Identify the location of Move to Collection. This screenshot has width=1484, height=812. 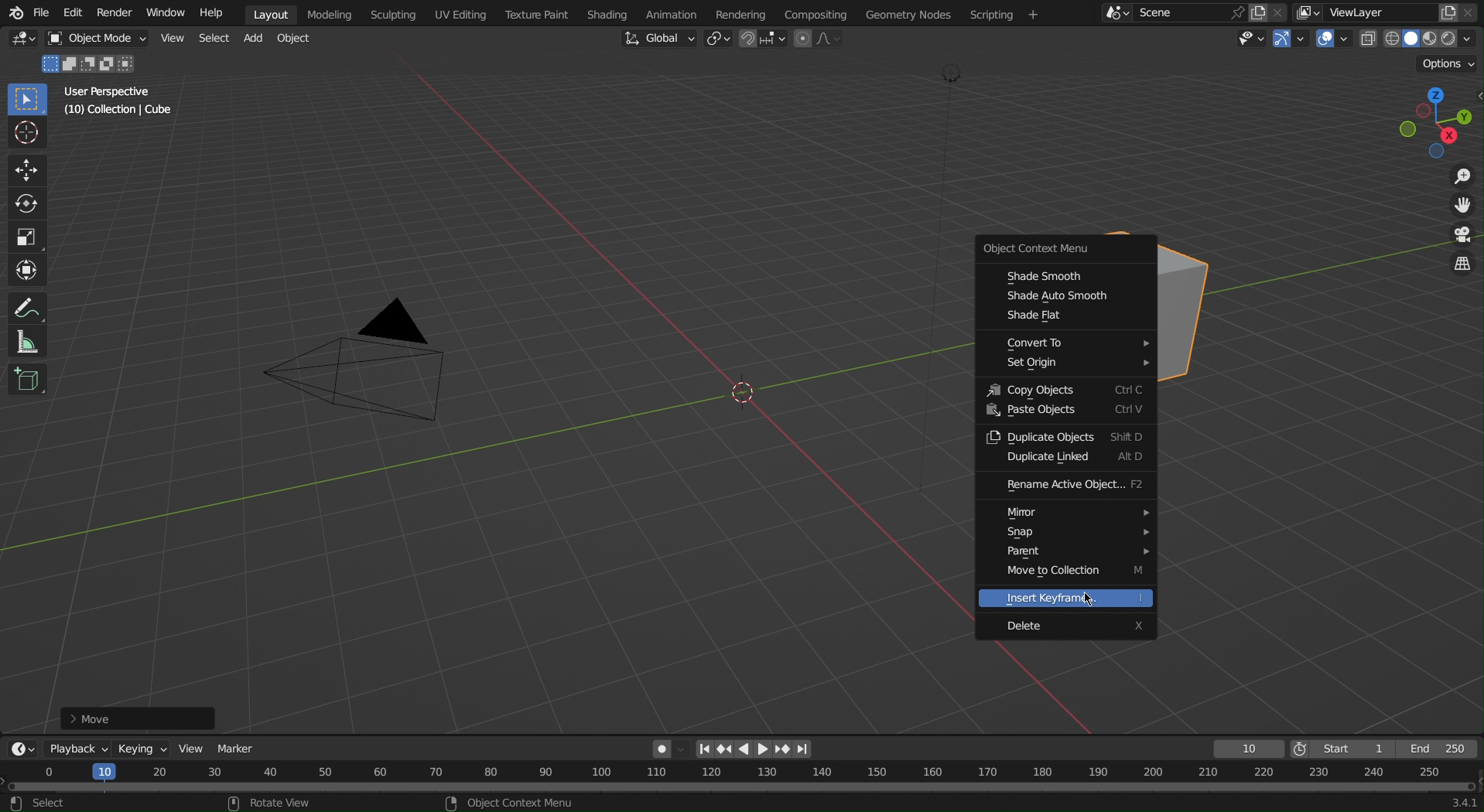
(1064, 574).